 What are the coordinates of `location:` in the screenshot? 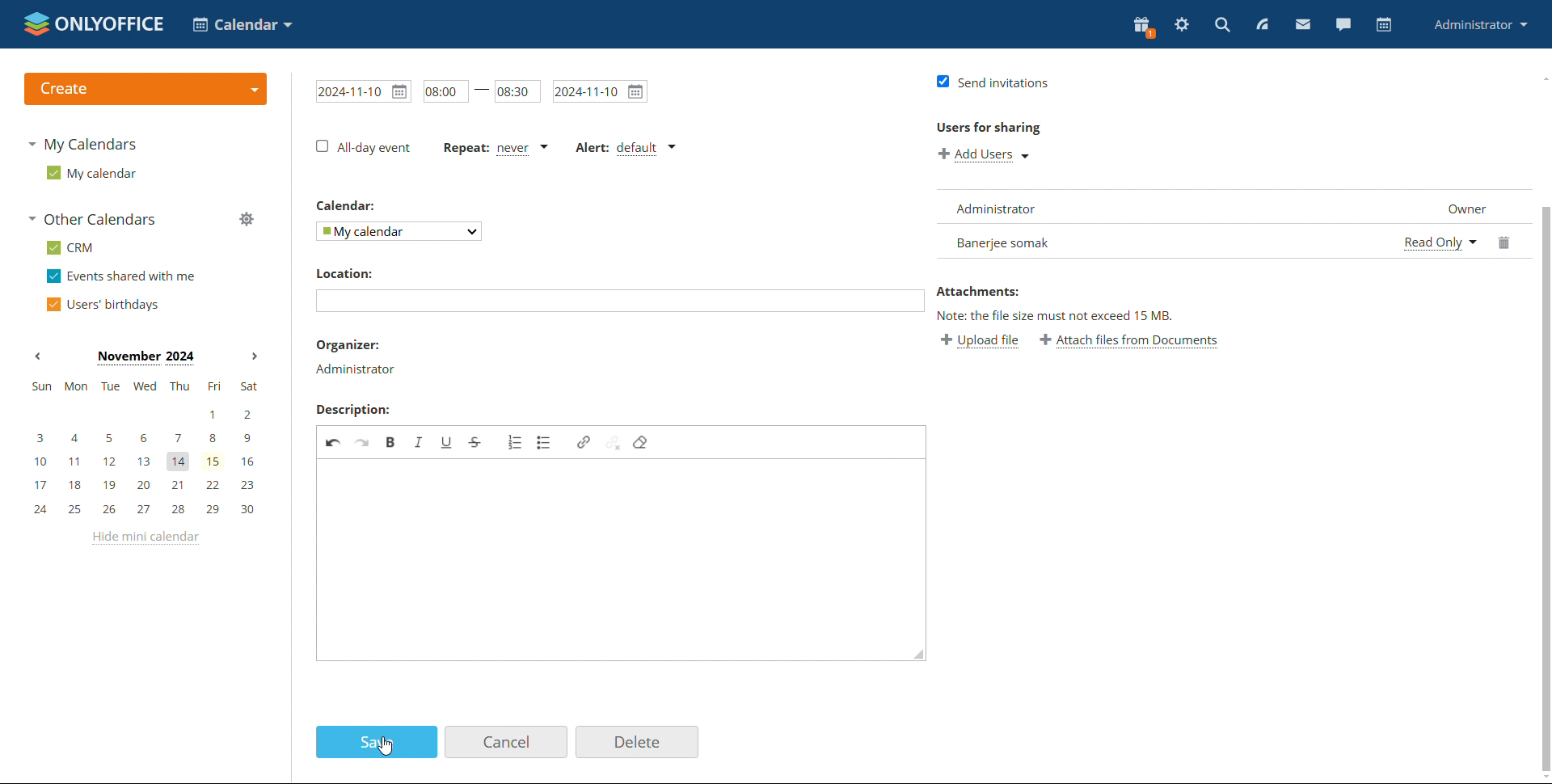 It's located at (344, 273).